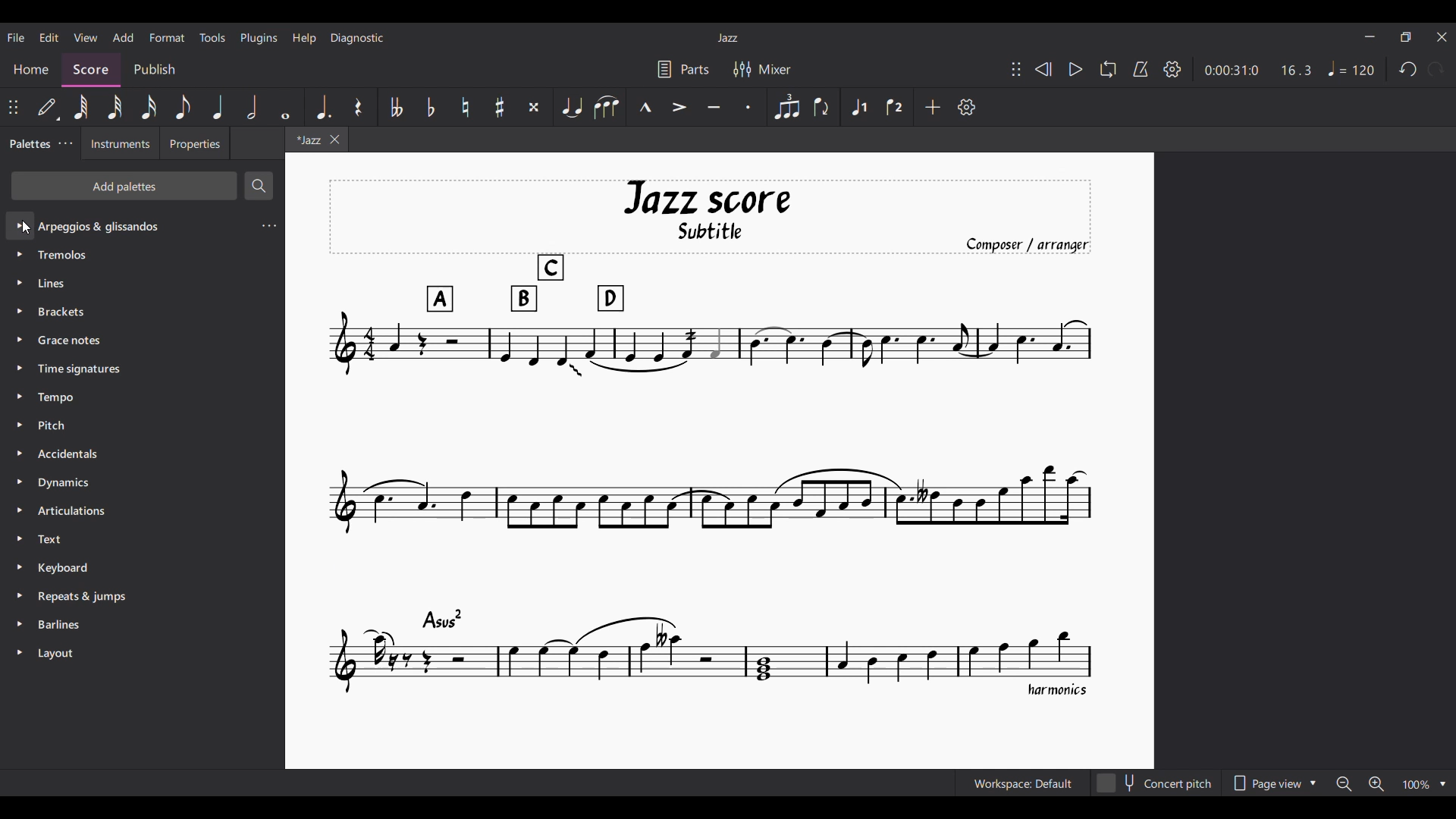 This screenshot has width=1456, height=819. What do you see at coordinates (252, 106) in the screenshot?
I see `Half note` at bounding box center [252, 106].